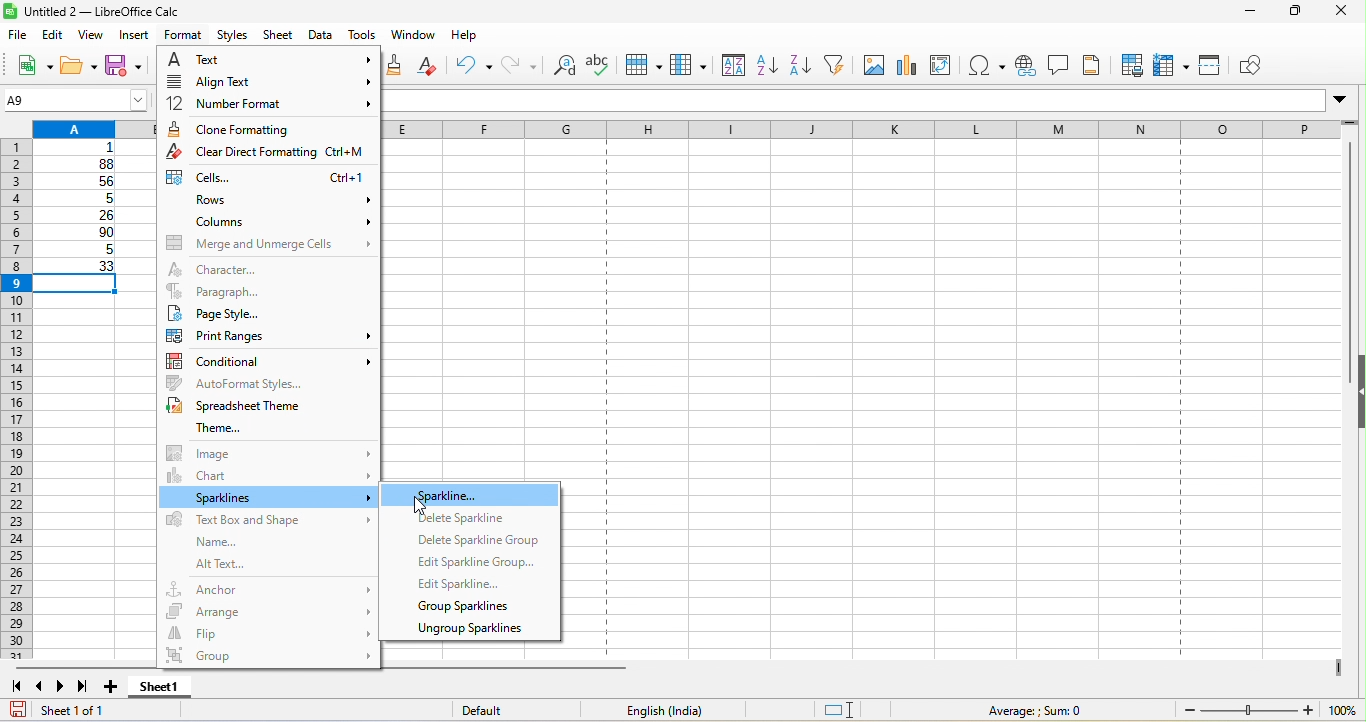 This screenshot has width=1366, height=722. Describe the element at coordinates (269, 201) in the screenshot. I see `rows` at that location.